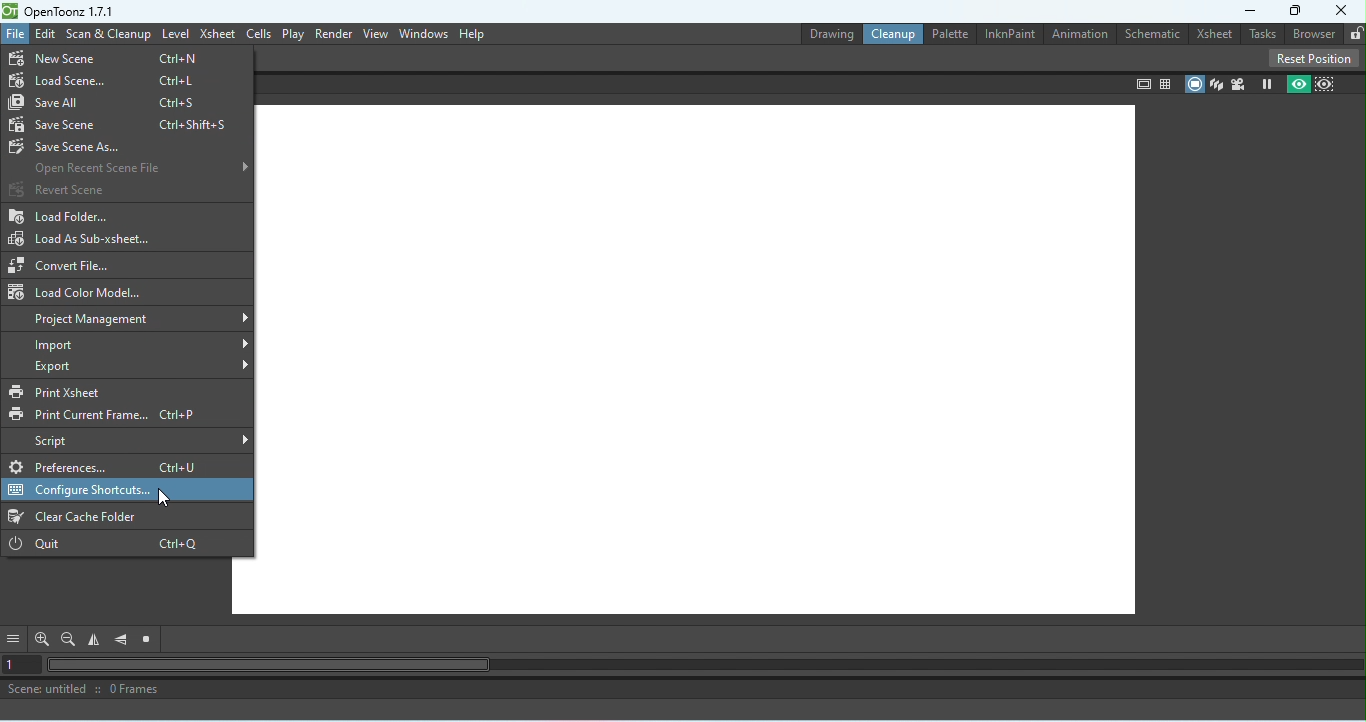 Image resolution: width=1366 pixels, height=722 pixels. Describe the element at coordinates (139, 364) in the screenshot. I see `Export` at that location.